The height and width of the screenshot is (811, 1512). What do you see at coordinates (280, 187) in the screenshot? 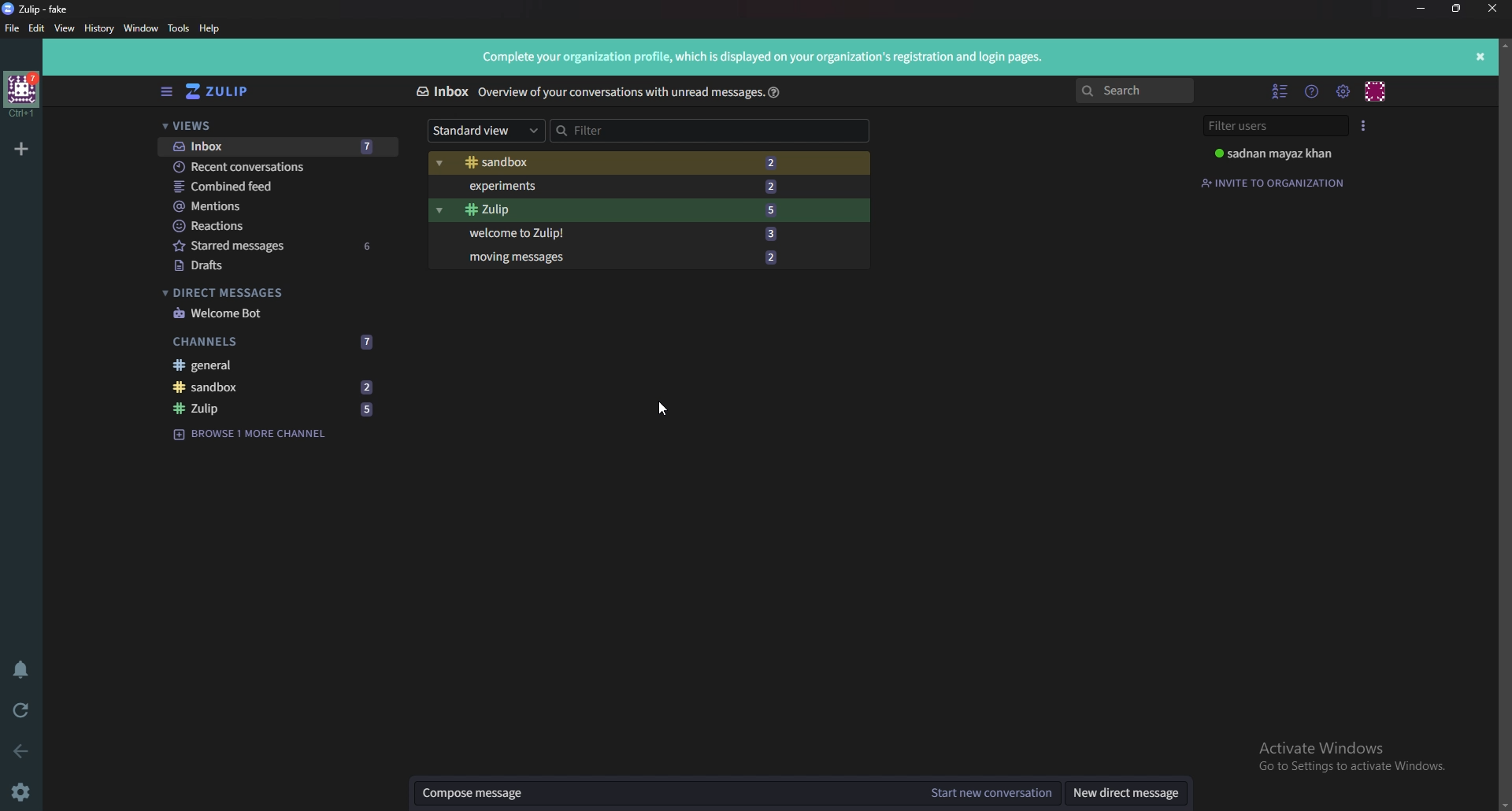
I see `Combine feed` at bounding box center [280, 187].